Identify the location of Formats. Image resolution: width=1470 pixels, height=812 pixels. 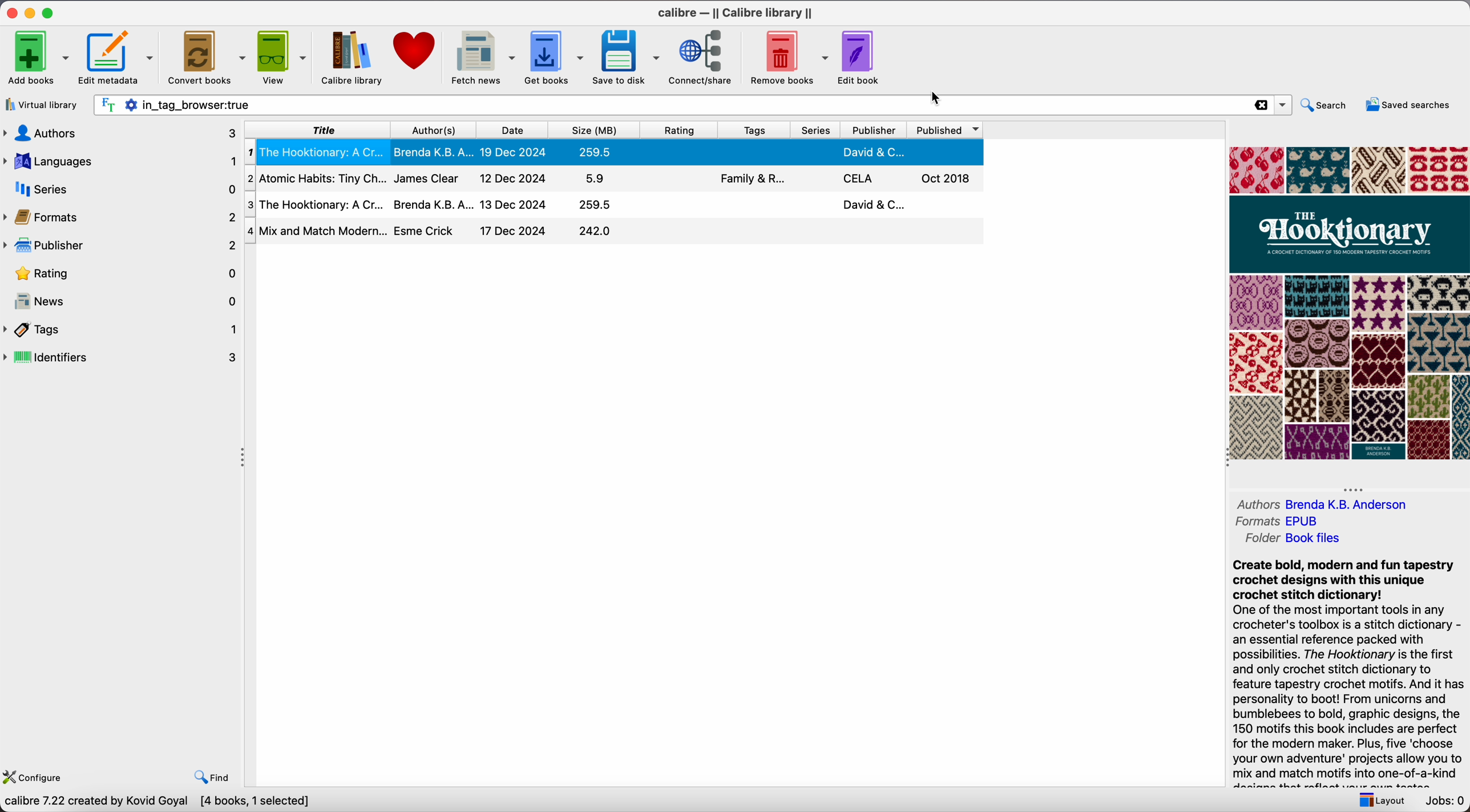
(1257, 523).